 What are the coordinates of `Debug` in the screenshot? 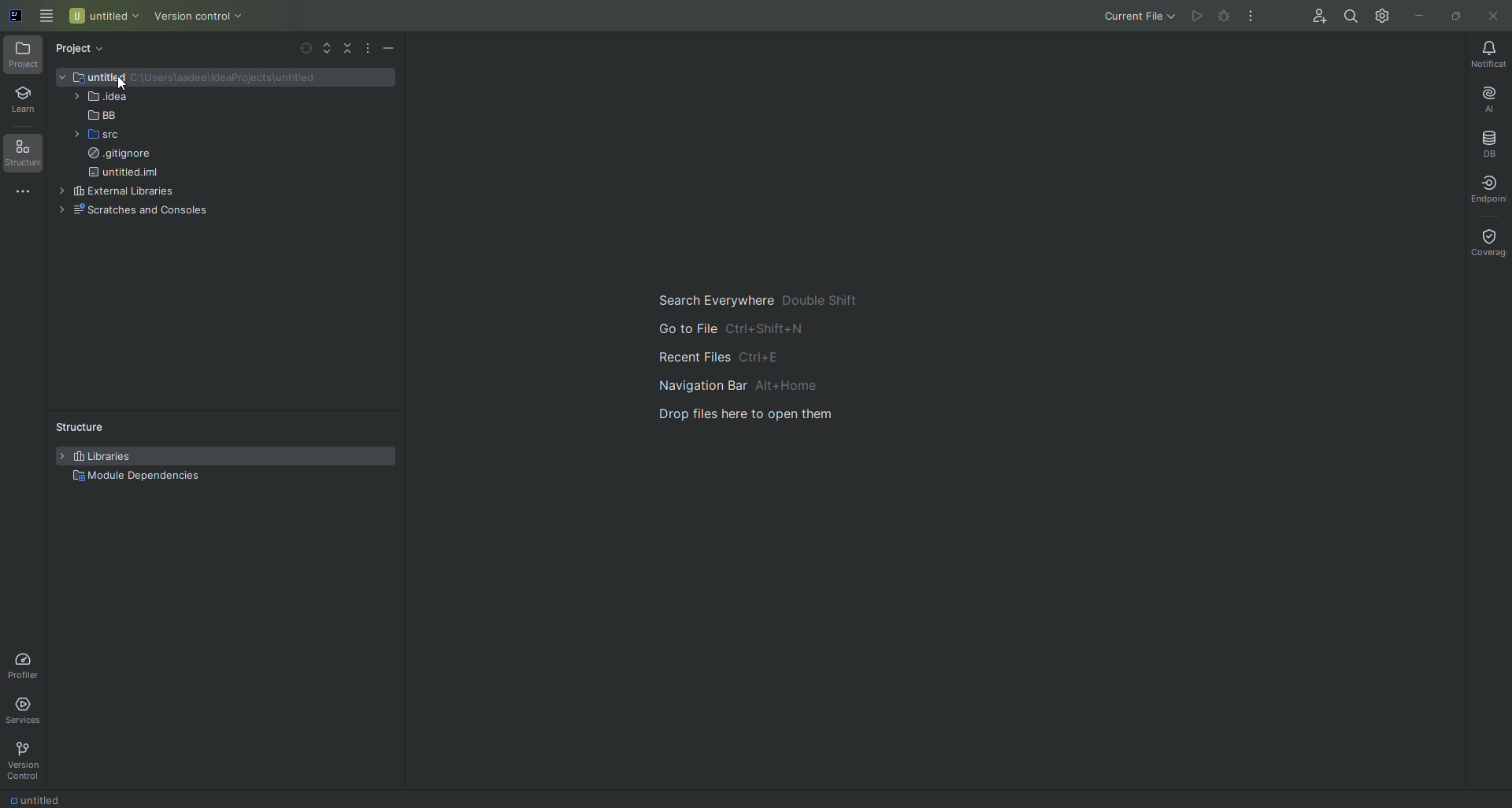 It's located at (1221, 16).